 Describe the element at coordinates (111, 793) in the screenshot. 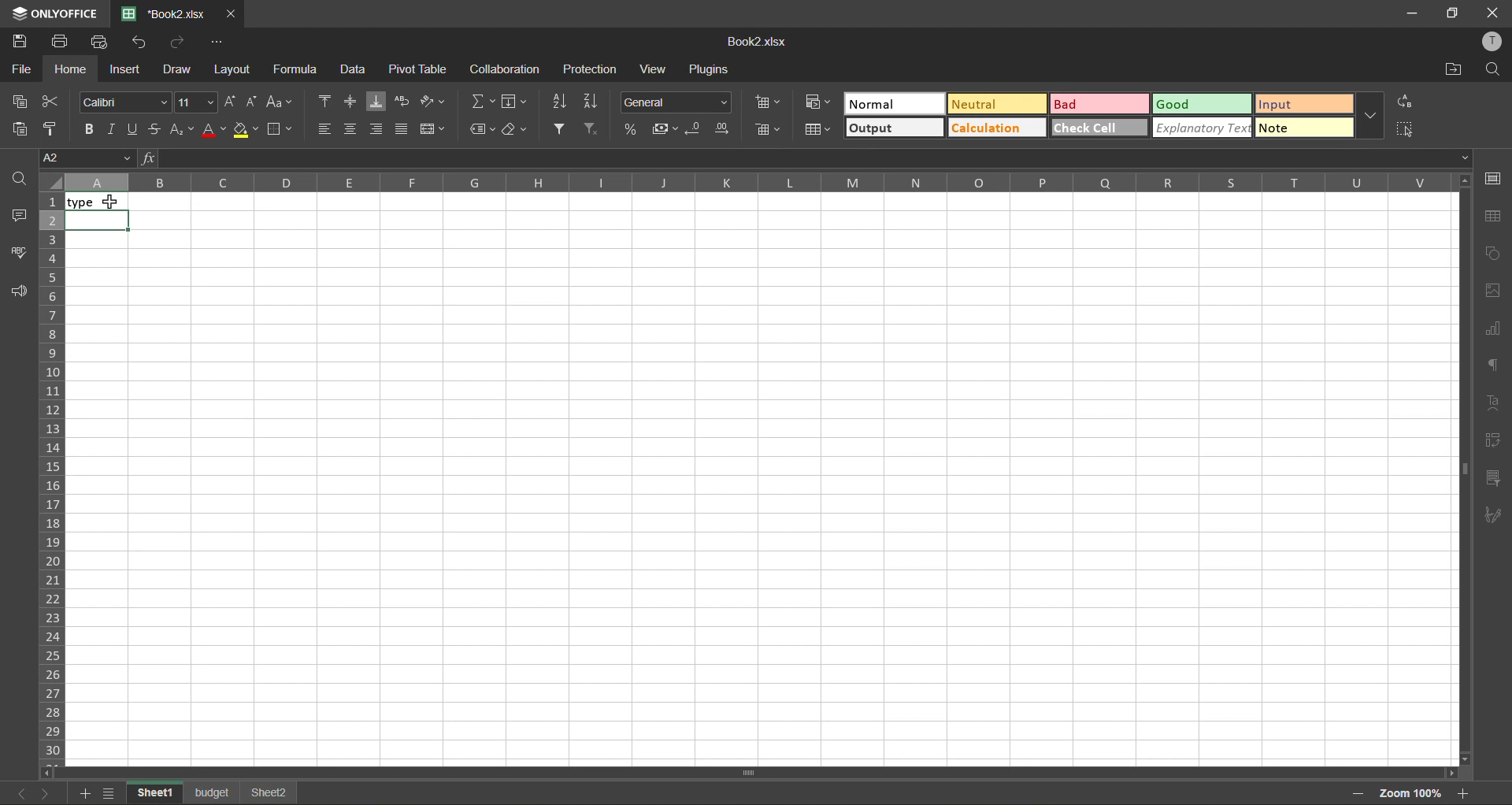

I see `sheet list` at that location.